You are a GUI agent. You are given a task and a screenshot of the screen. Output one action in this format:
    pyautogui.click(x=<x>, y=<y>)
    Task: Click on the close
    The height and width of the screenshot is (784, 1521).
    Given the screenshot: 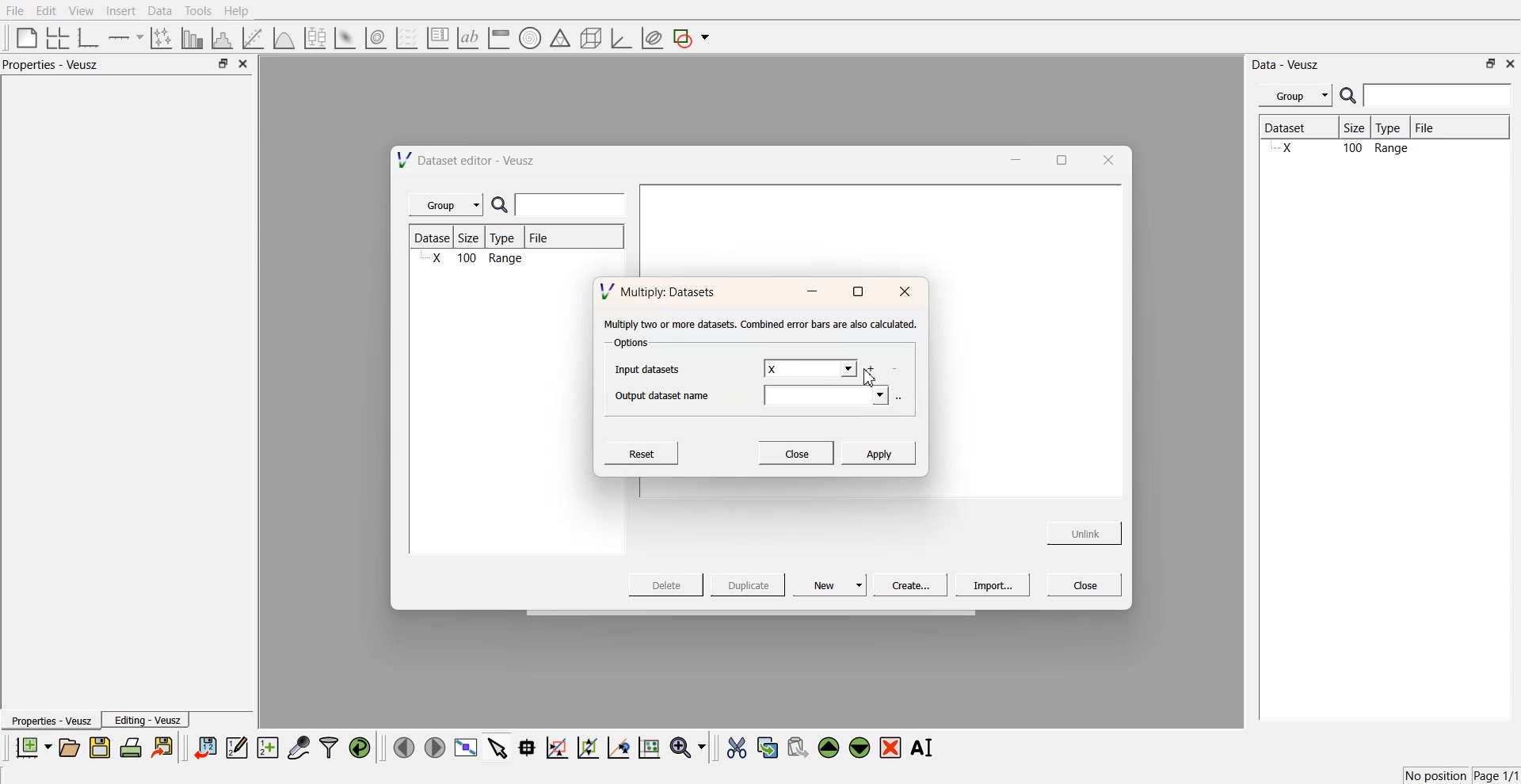 What is the action you would take?
    pyautogui.click(x=1107, y=159)
    